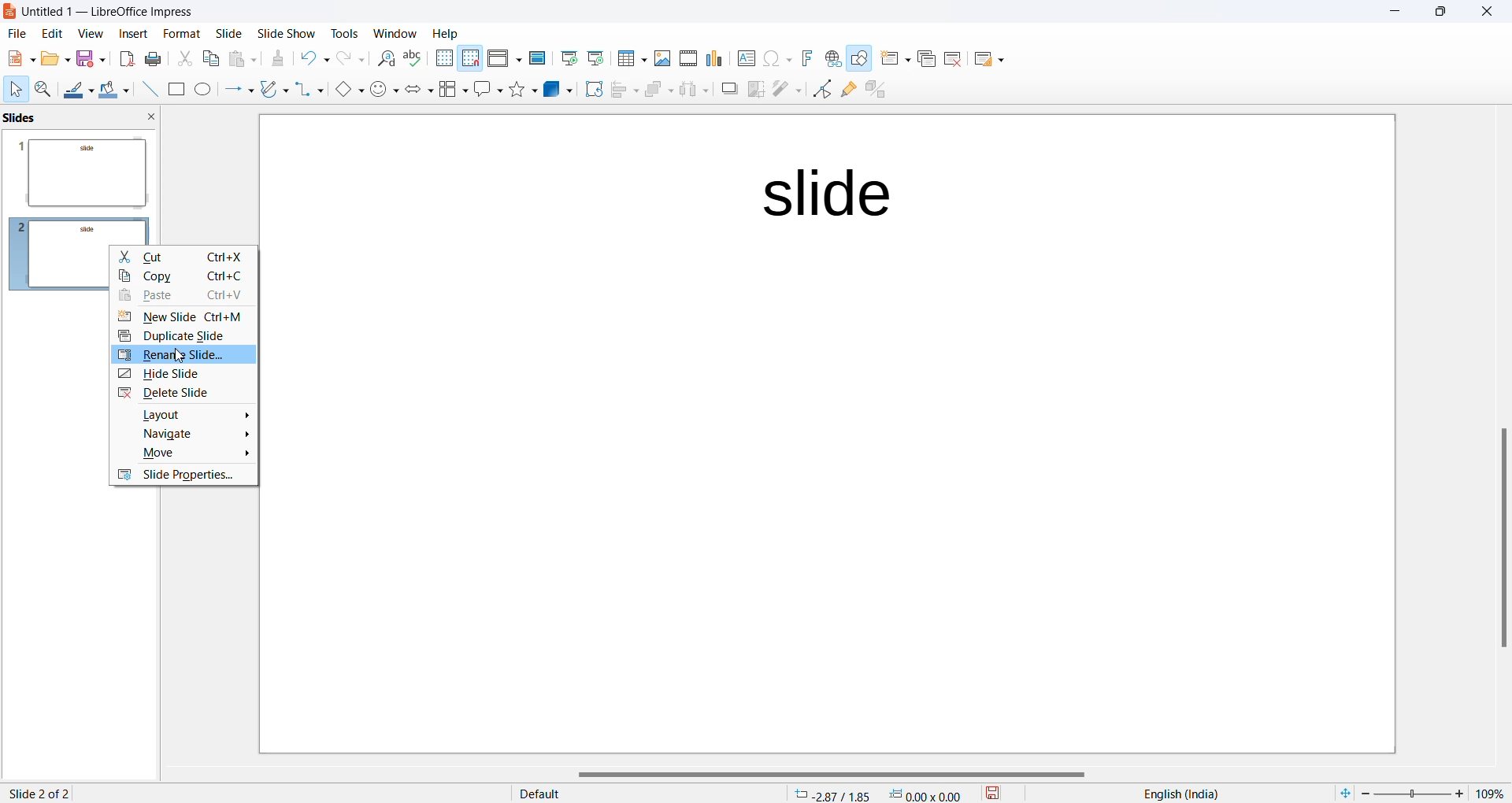  I want to click on Display views, so click(504, 57).